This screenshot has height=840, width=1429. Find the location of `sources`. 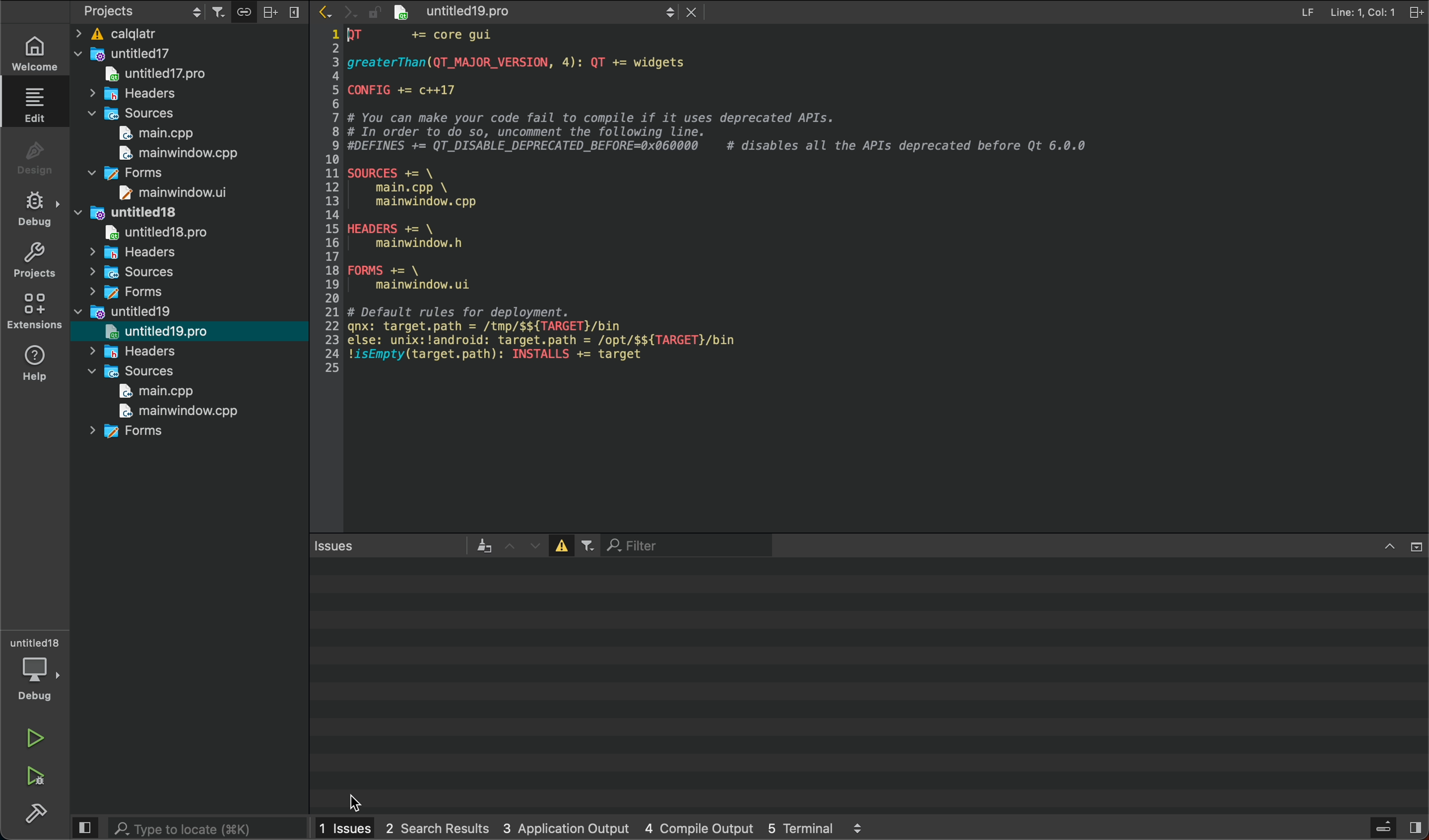

sources is located at coordinates (134, 113).